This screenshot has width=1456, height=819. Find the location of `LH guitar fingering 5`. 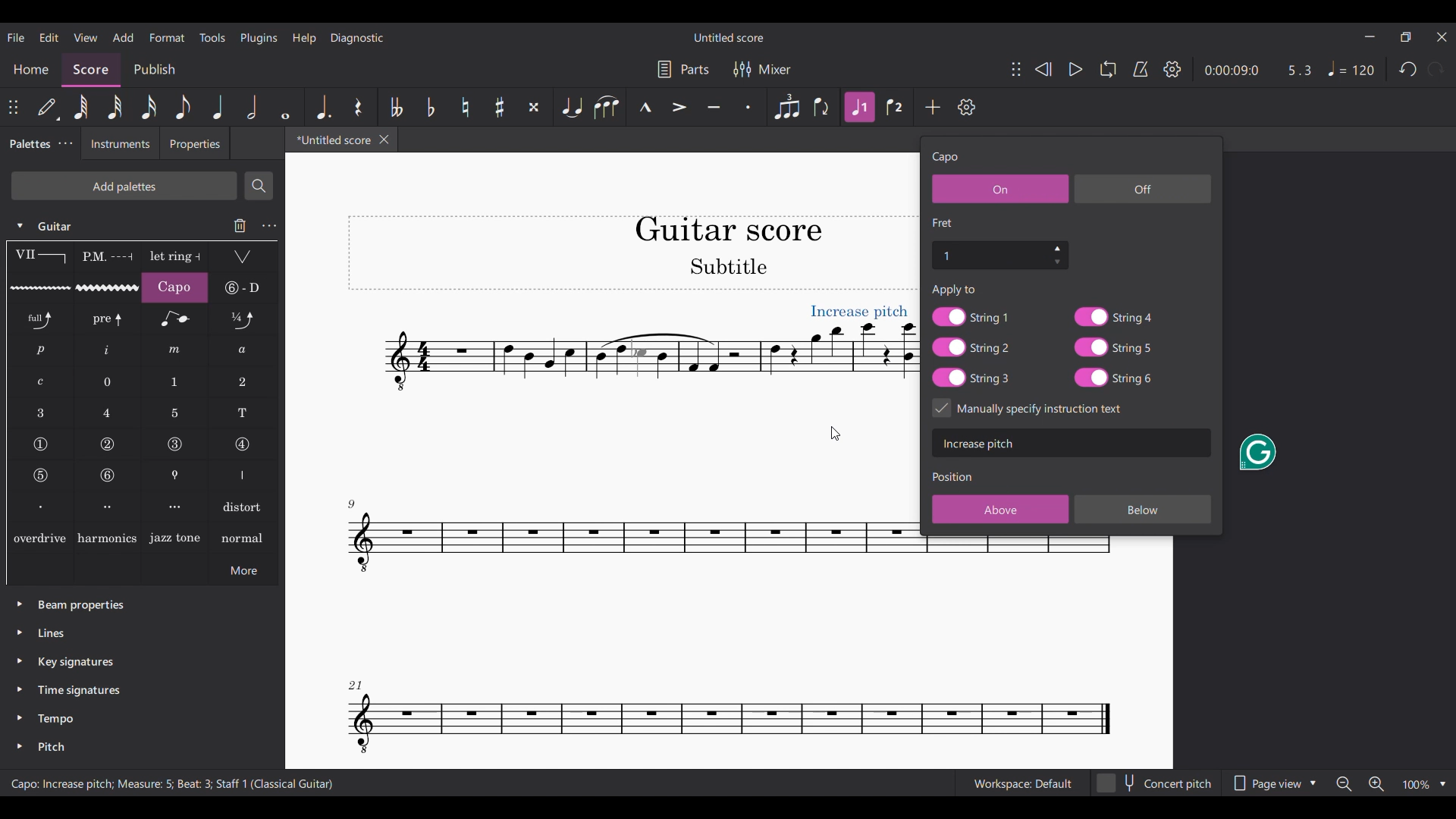

LH guitar fingering 5 is located at coordinates (175, 413).